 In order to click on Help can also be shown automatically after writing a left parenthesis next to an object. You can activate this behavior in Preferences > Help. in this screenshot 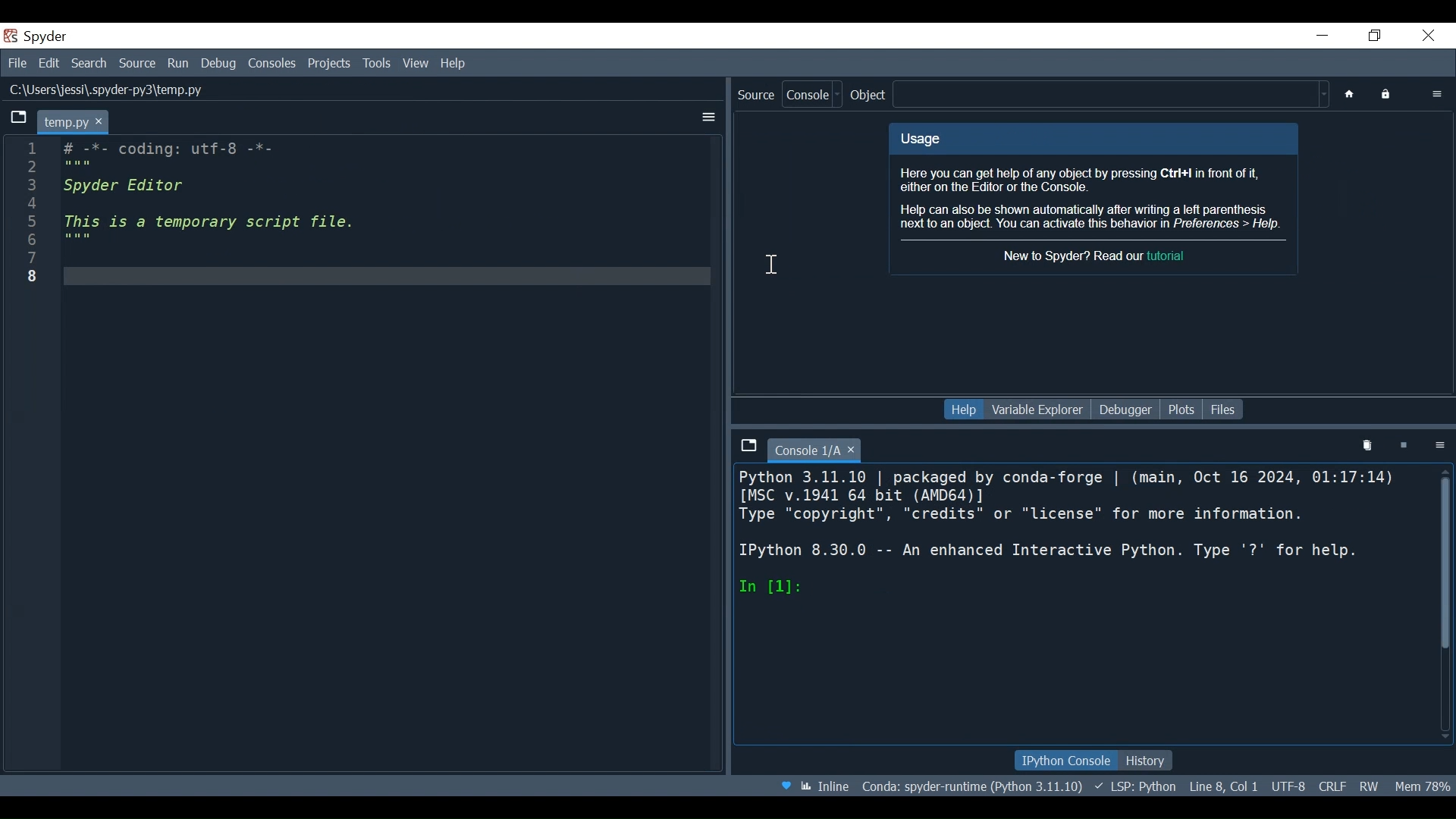, I will do `click(1091, 219)`.